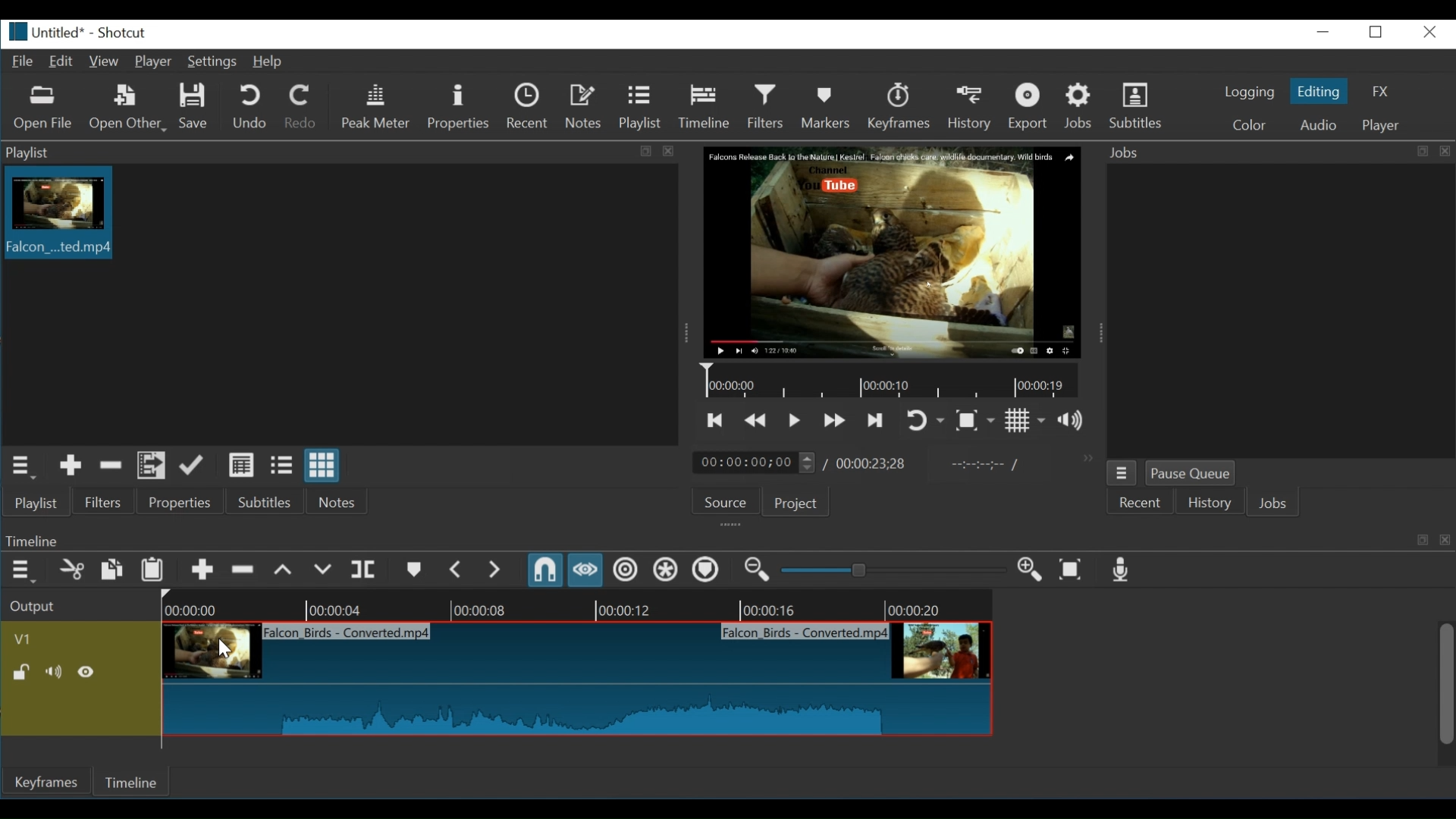 Image resolution: width=1456 pixels, height=819 pixels. Describe the element at coordinates (1250, 93) in the screenshot. I see `logging` at that location.